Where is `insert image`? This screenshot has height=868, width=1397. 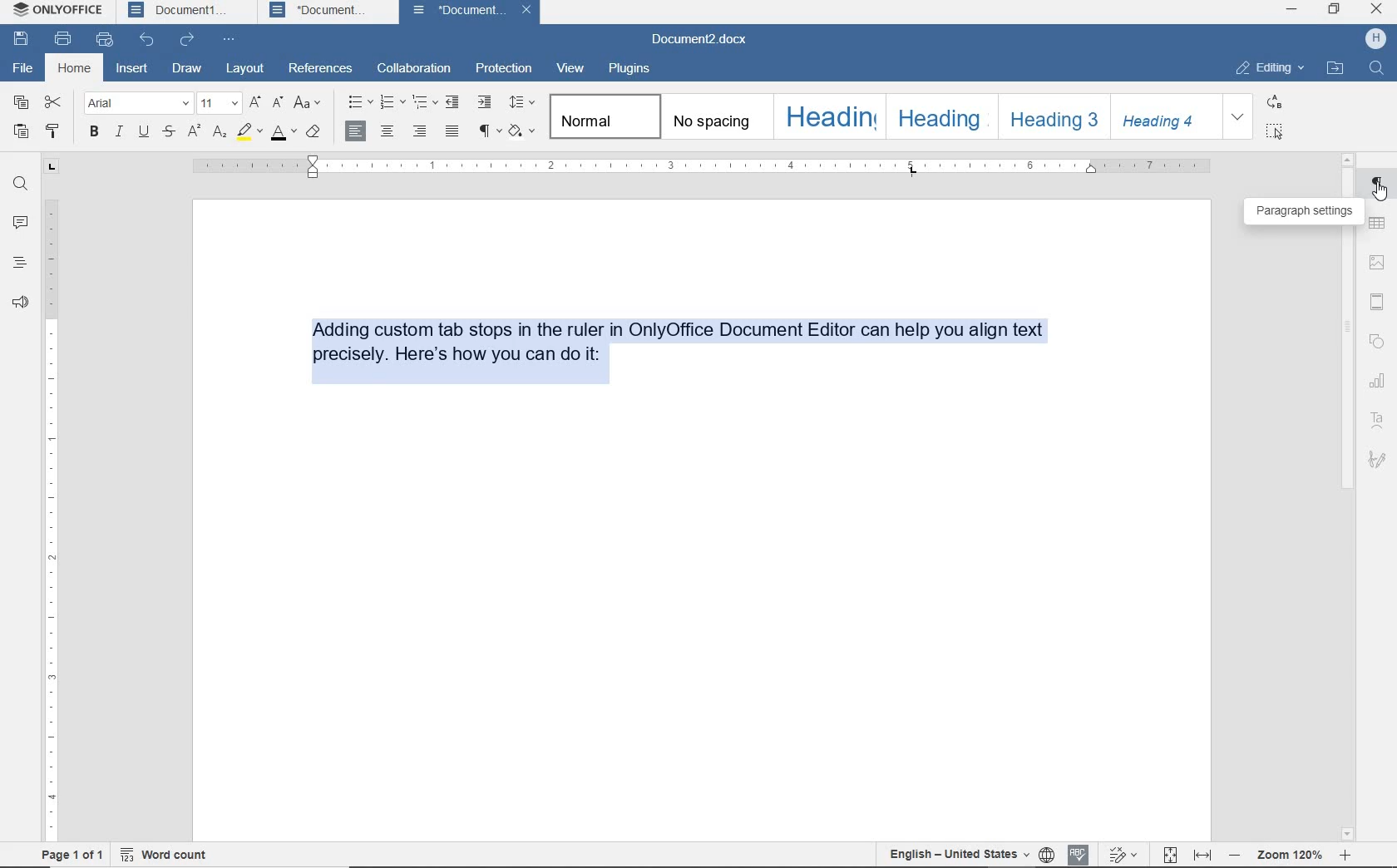
insert image is located at coordinates (1376, 264).